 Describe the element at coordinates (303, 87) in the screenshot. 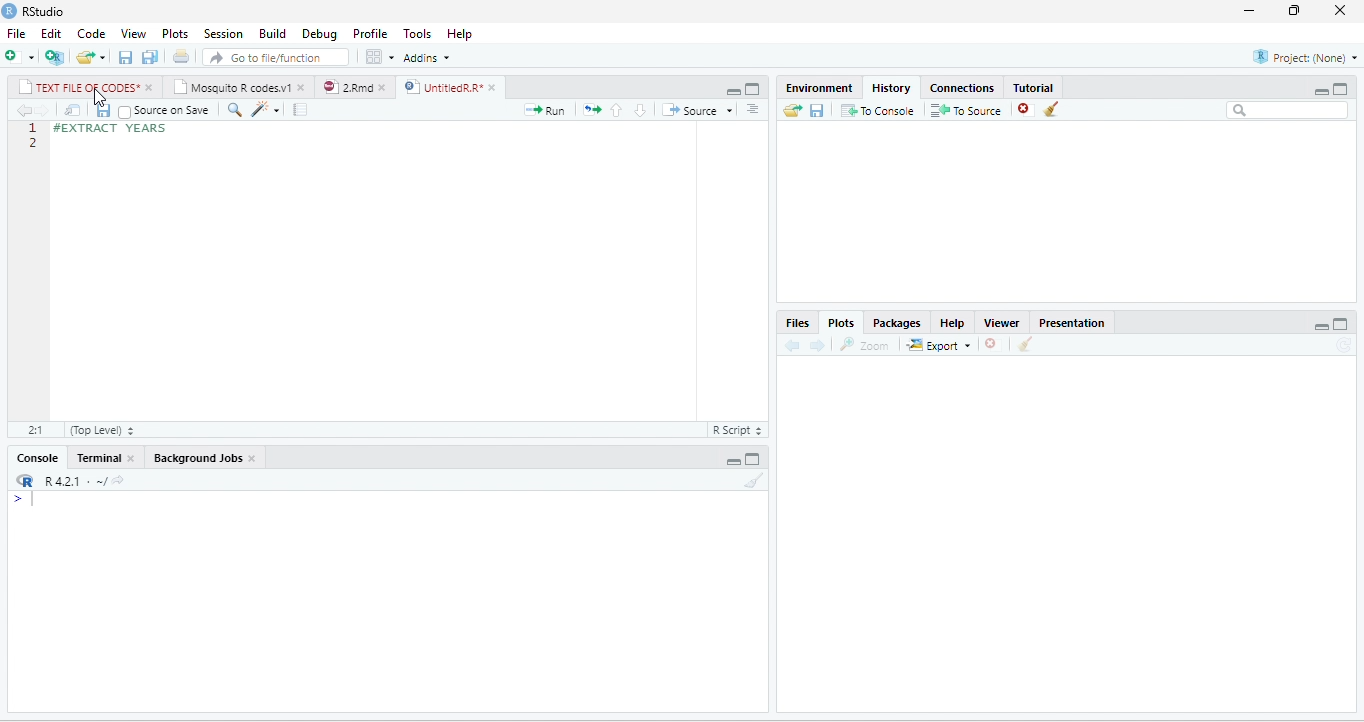

I see `close` at that location.